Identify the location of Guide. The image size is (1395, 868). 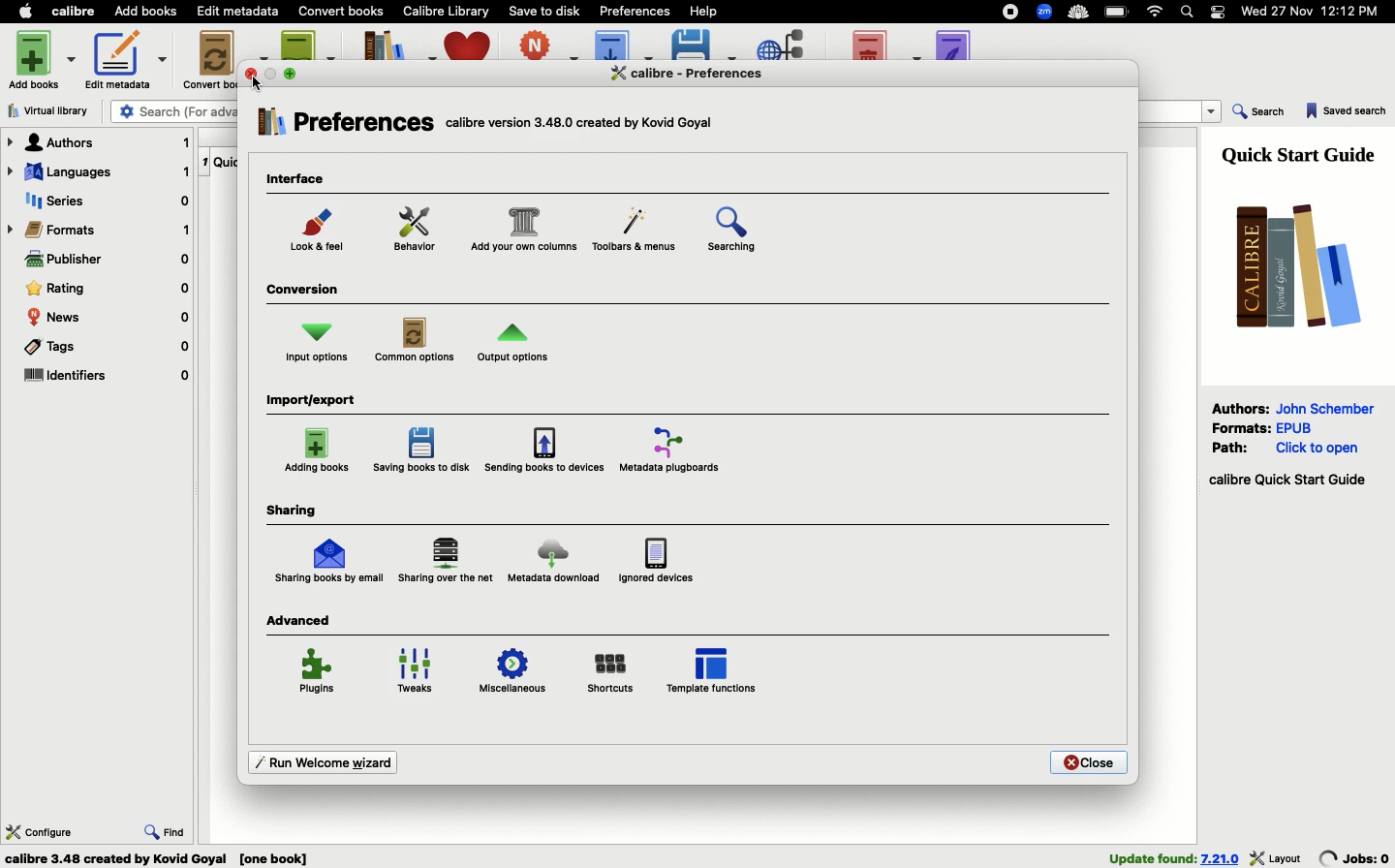
(1303, 153).